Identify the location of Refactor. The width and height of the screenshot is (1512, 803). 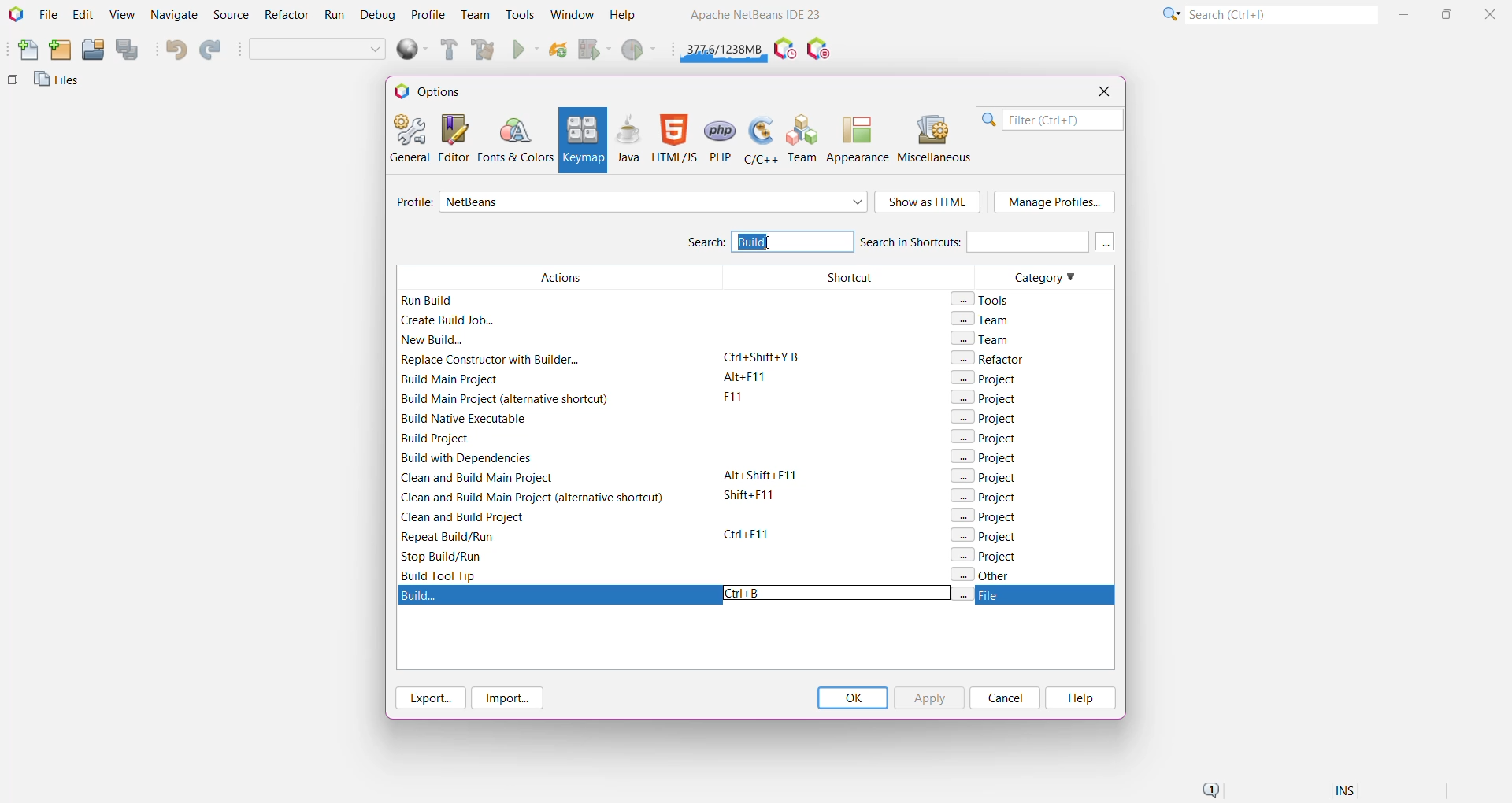
(288, 17).